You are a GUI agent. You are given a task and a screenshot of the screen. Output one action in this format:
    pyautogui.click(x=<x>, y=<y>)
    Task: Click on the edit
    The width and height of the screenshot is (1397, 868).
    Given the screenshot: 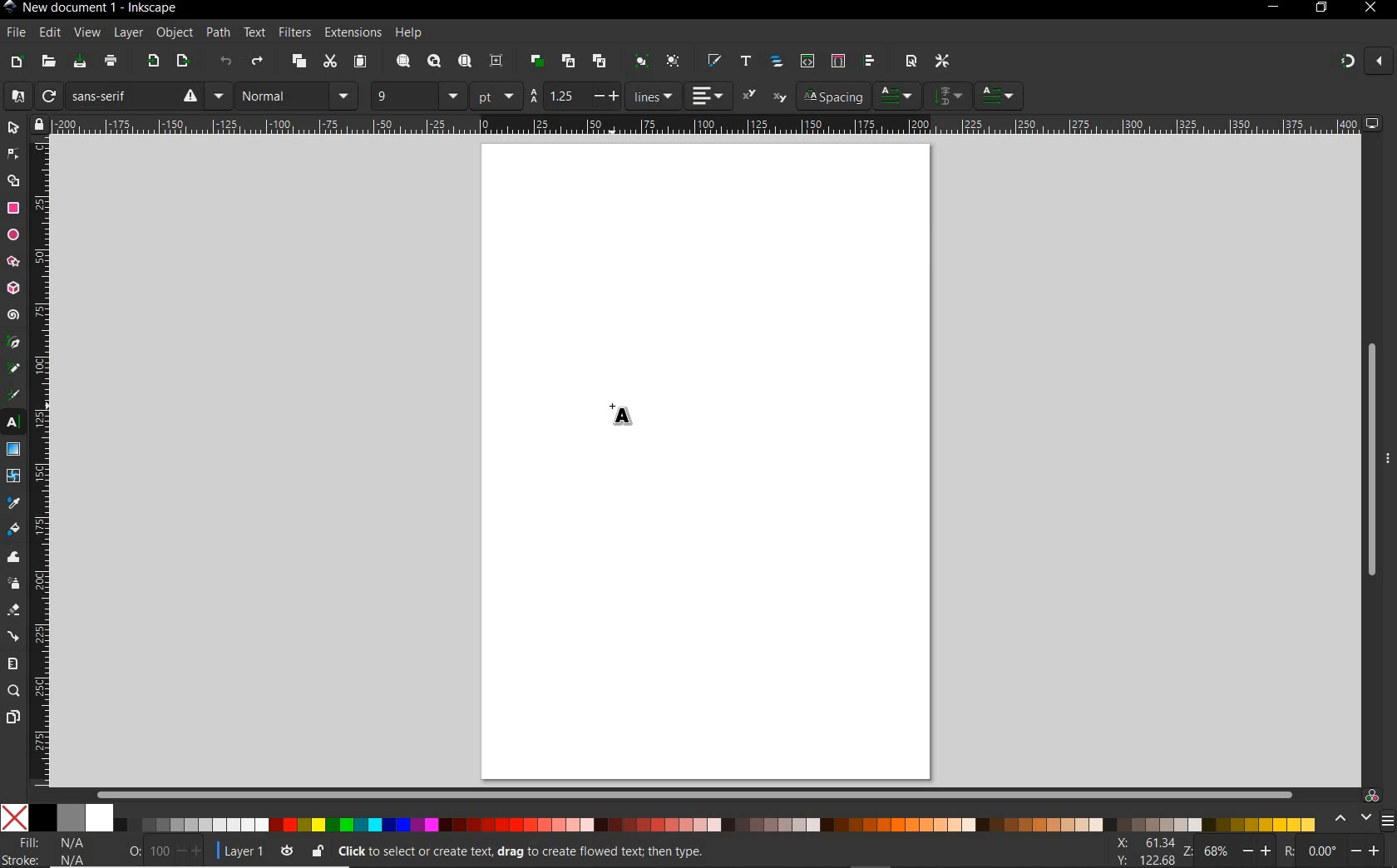 What is the action you would take?
    pyautogui.click(x=49, y=33)
    